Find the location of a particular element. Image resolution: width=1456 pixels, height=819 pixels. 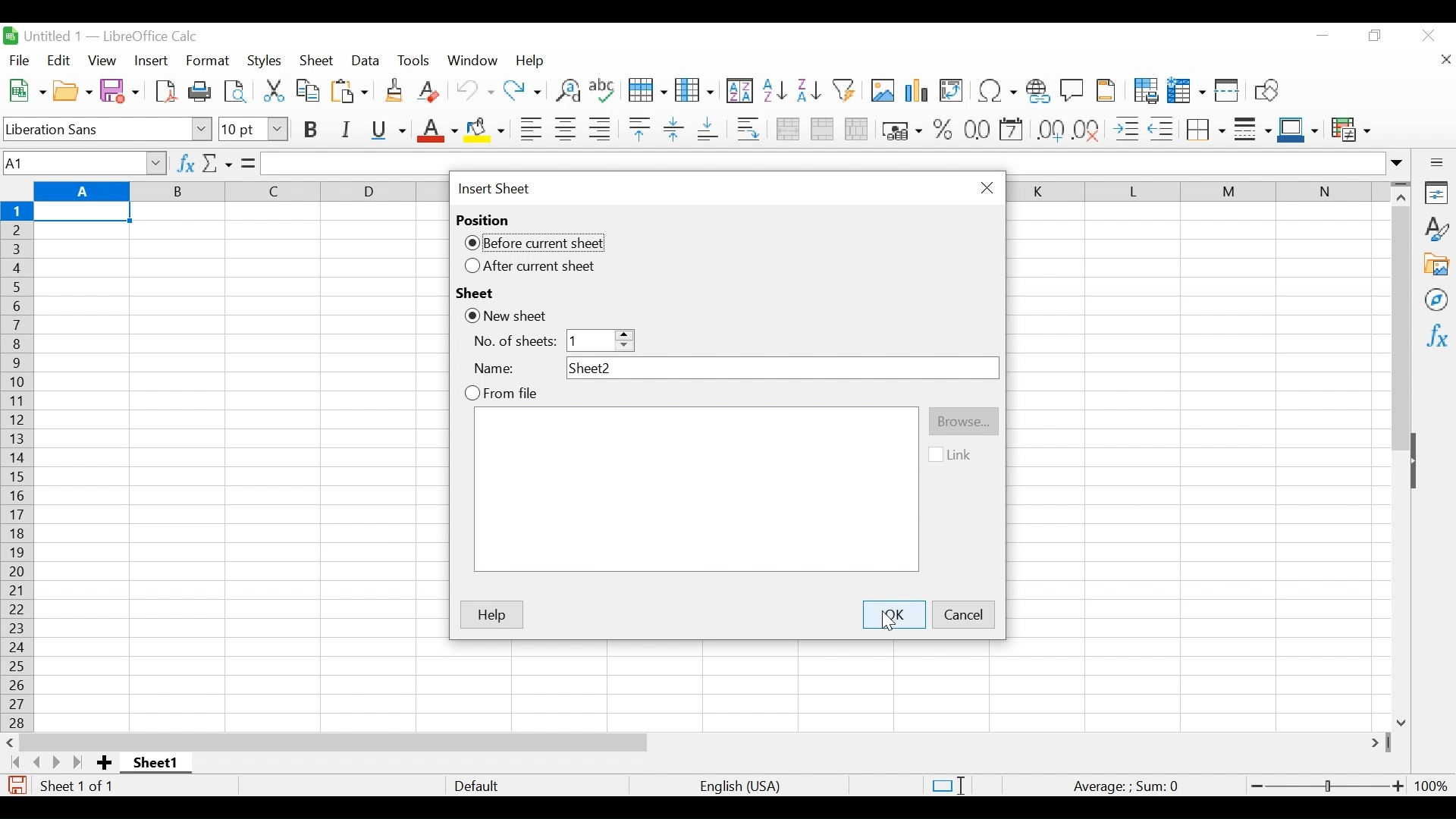

Align Right is located at coordinates (599, 129).